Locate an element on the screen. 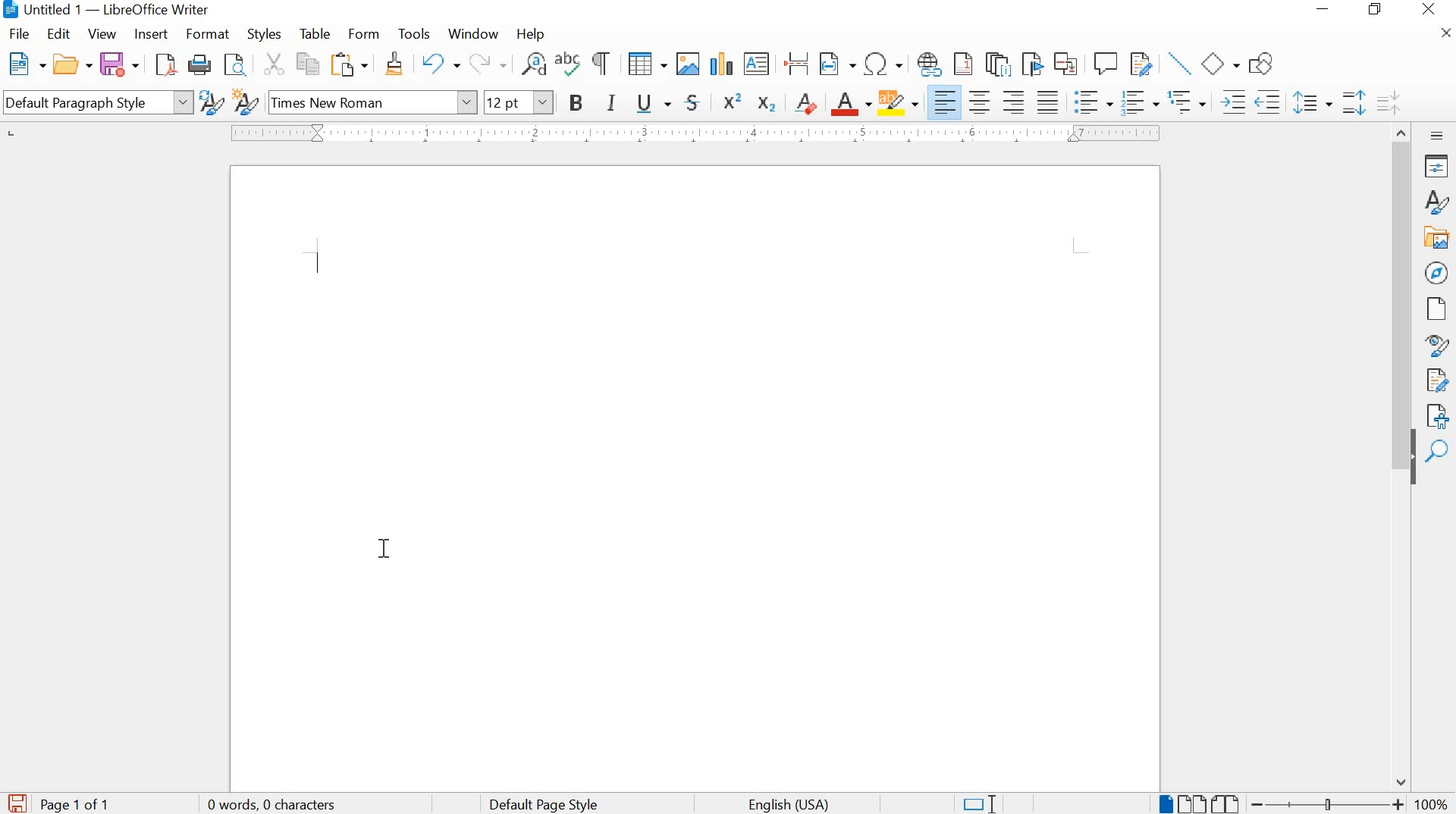 Image resolution: width=1456 pixels, height=814 pixels. SET LINE SPACING is located at coordinates (1311, 102).